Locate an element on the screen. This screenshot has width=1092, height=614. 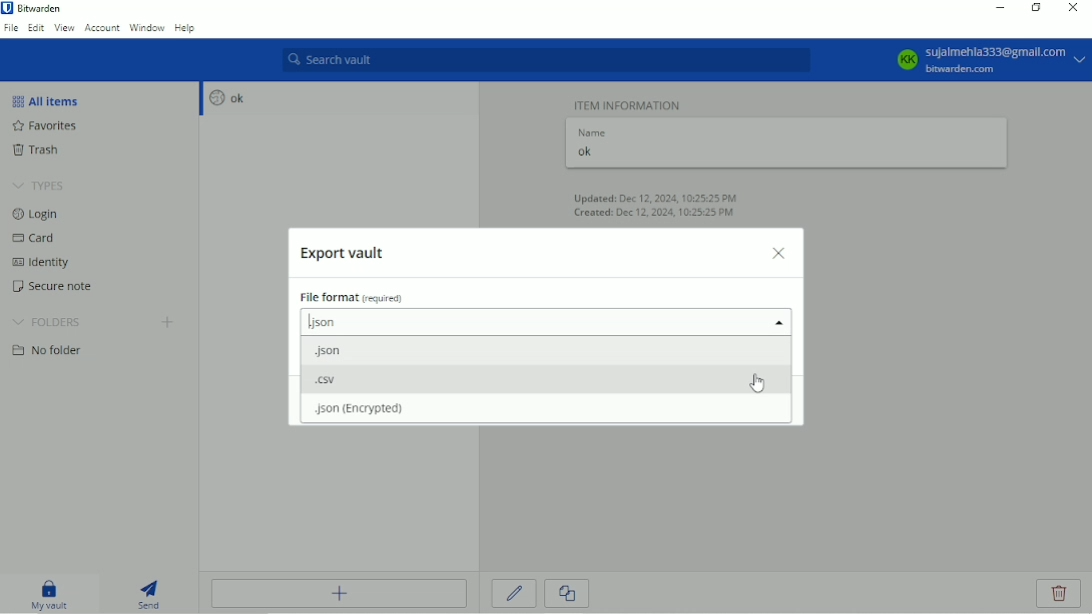
Export vault is located at coordinates (346, 254).